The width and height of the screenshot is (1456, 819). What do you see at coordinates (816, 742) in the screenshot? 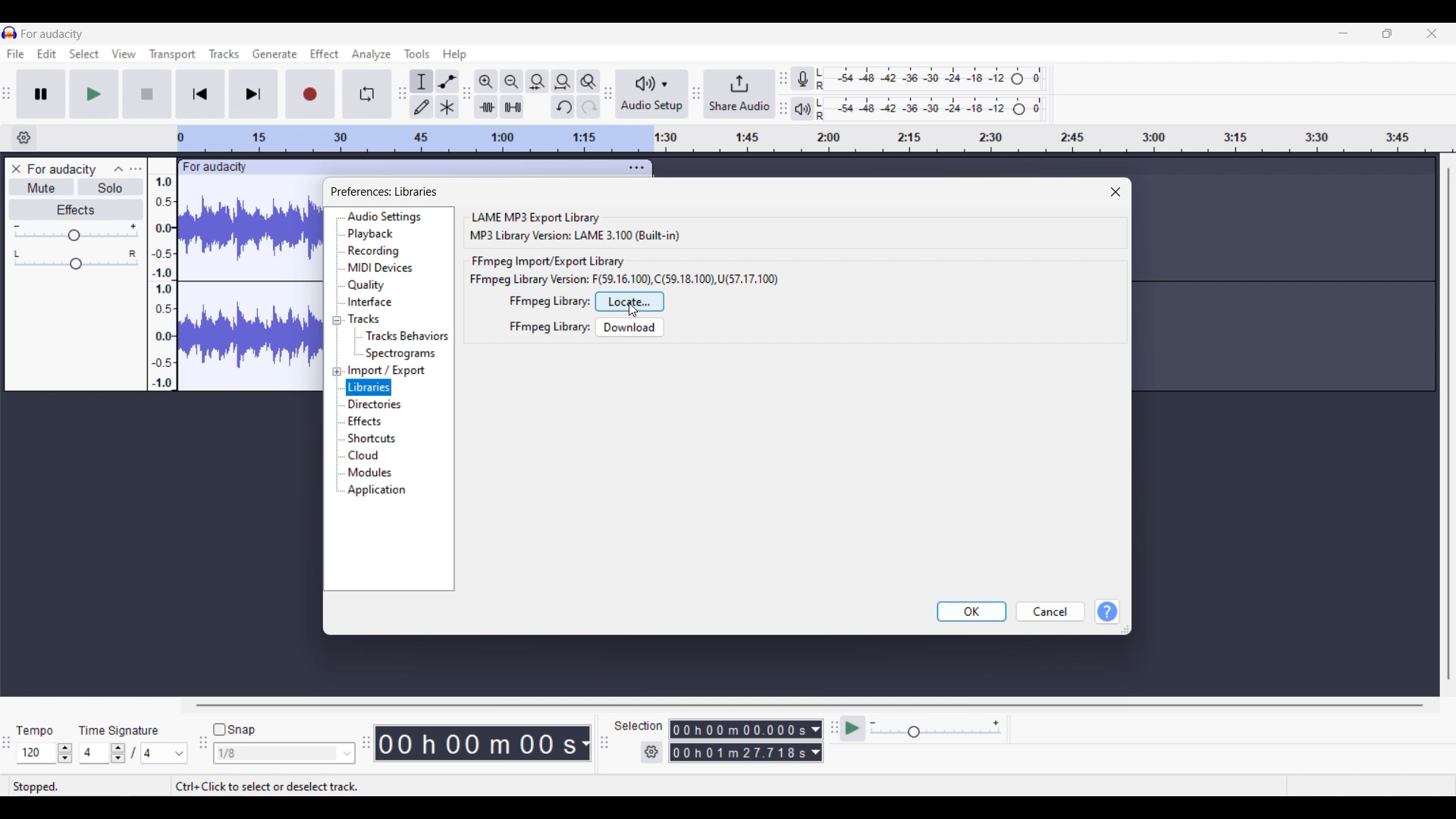
I see `Duration measurement` at bounding box center [816, 742].